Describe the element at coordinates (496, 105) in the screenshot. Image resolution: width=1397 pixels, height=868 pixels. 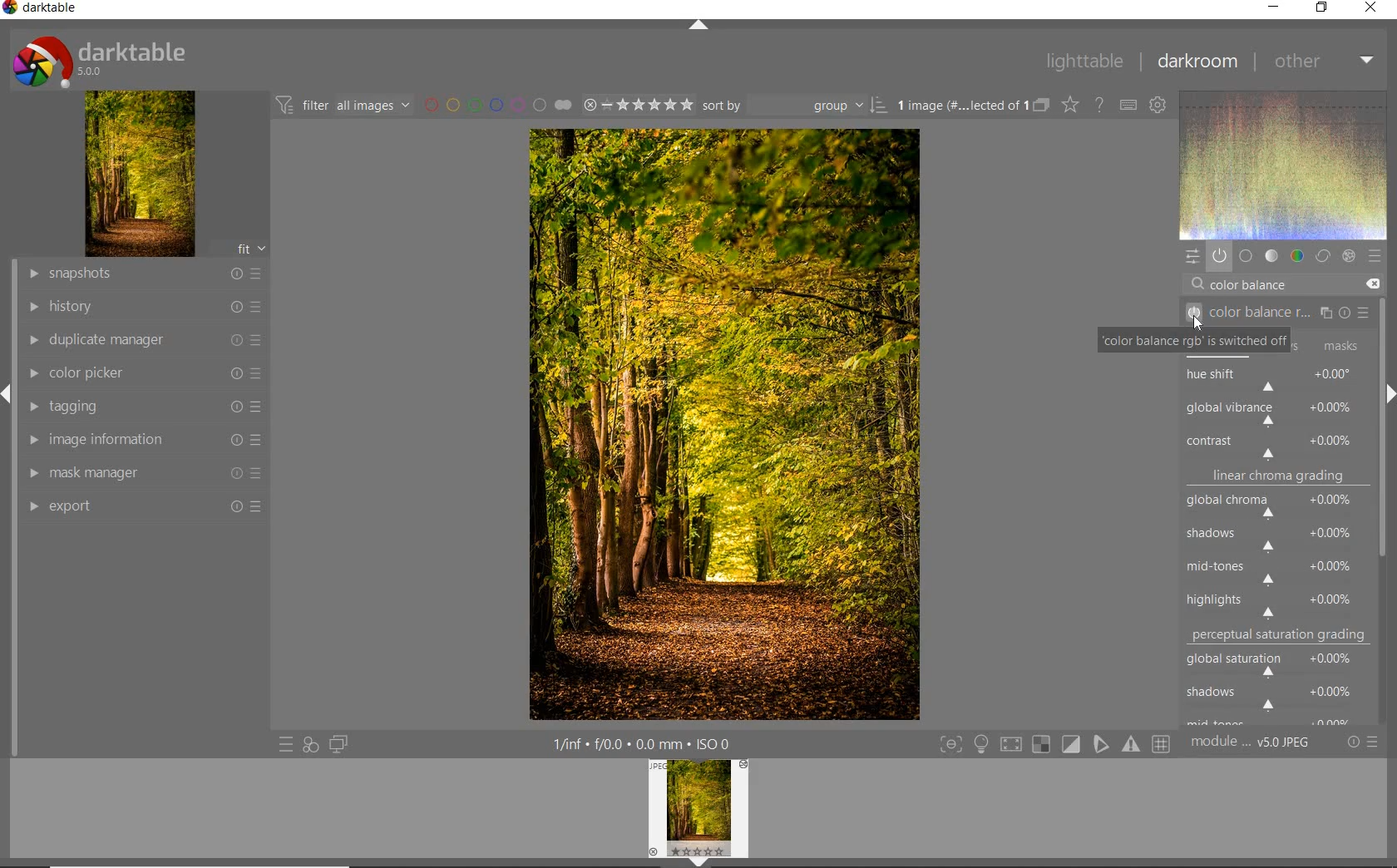
I see `filter by image color label` at that location.